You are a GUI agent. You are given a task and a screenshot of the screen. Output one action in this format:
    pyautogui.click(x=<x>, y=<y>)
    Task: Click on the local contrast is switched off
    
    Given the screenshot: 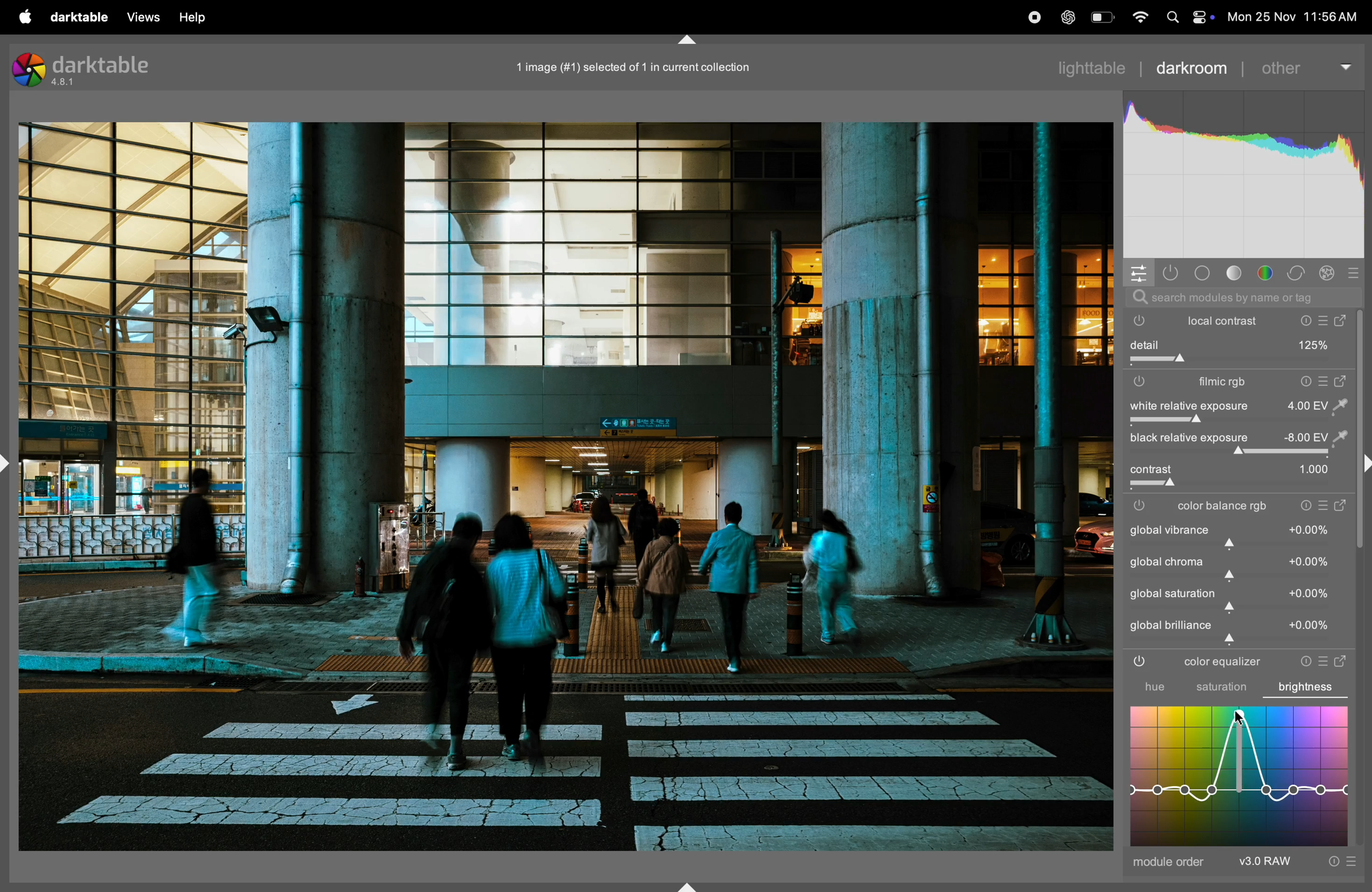 What is the action you would take?
    pyautogui.click(x=1136, y=322)
    